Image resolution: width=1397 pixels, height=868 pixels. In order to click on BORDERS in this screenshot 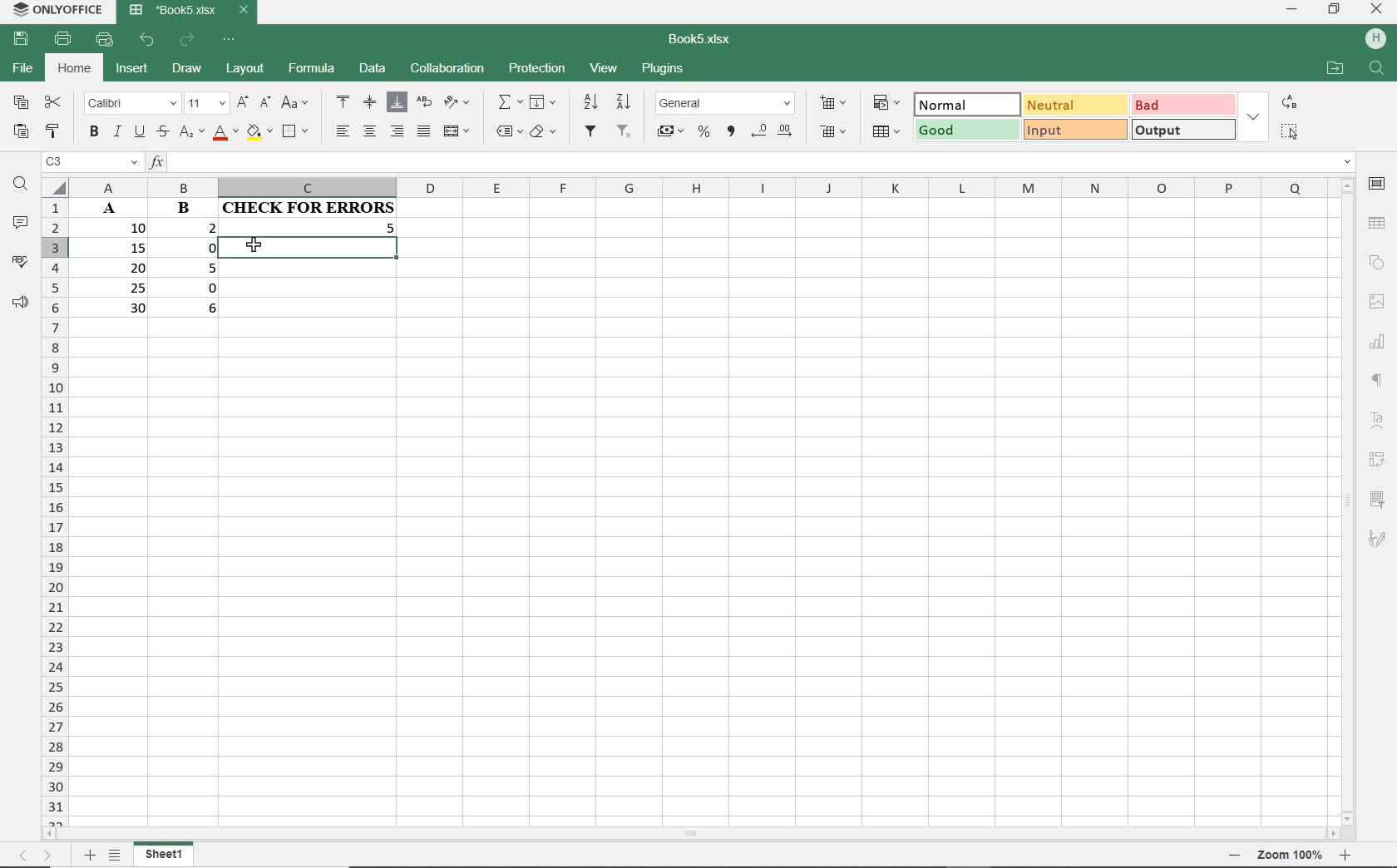, I will do `click(299, 131)`.